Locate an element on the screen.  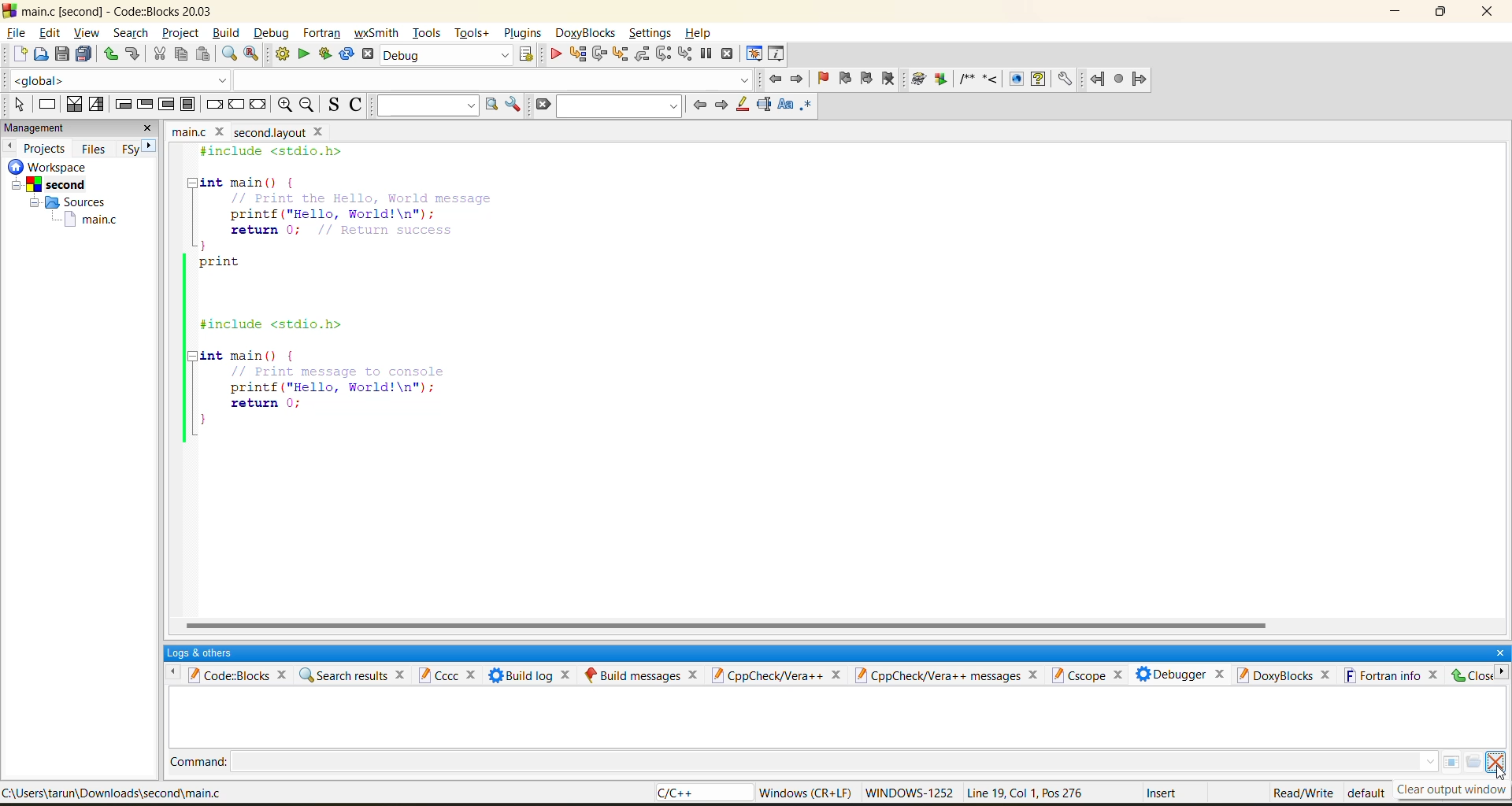
undo is located at coordinates (109, 55).